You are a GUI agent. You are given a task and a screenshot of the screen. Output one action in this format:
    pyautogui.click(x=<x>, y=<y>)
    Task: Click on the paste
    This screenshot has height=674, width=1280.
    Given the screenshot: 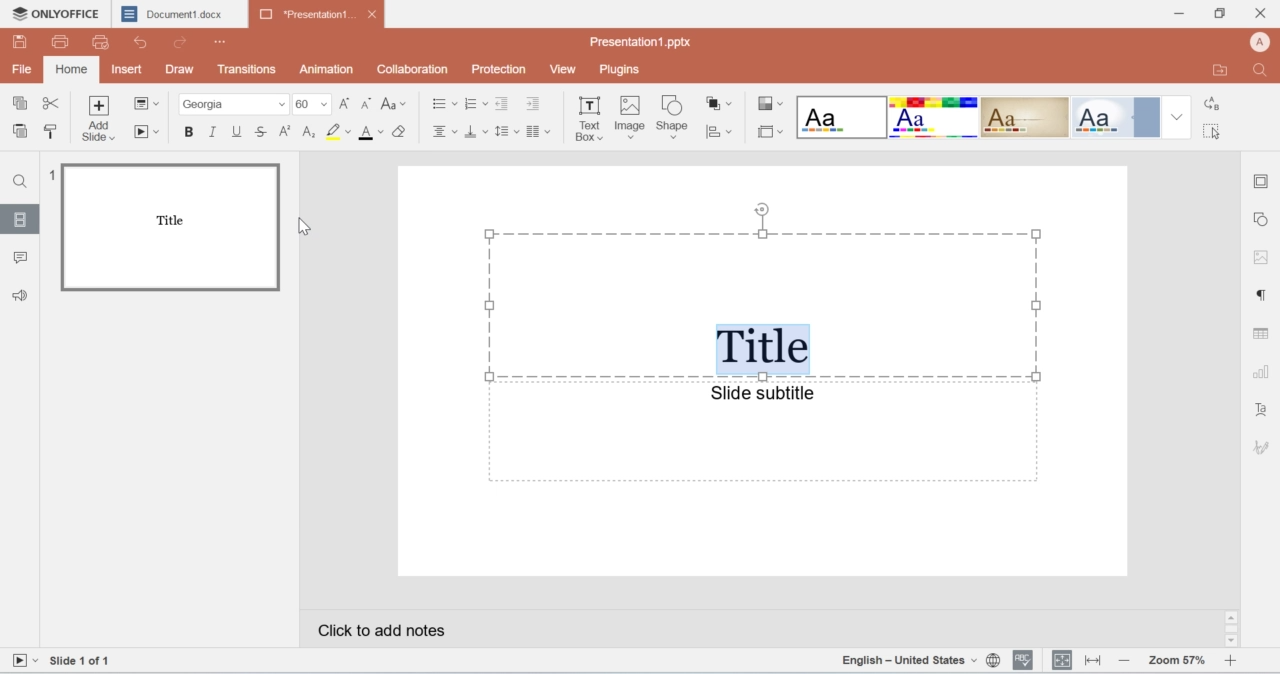 What is the action you would take?
    pyautogui.click(x=21, y=132)
    